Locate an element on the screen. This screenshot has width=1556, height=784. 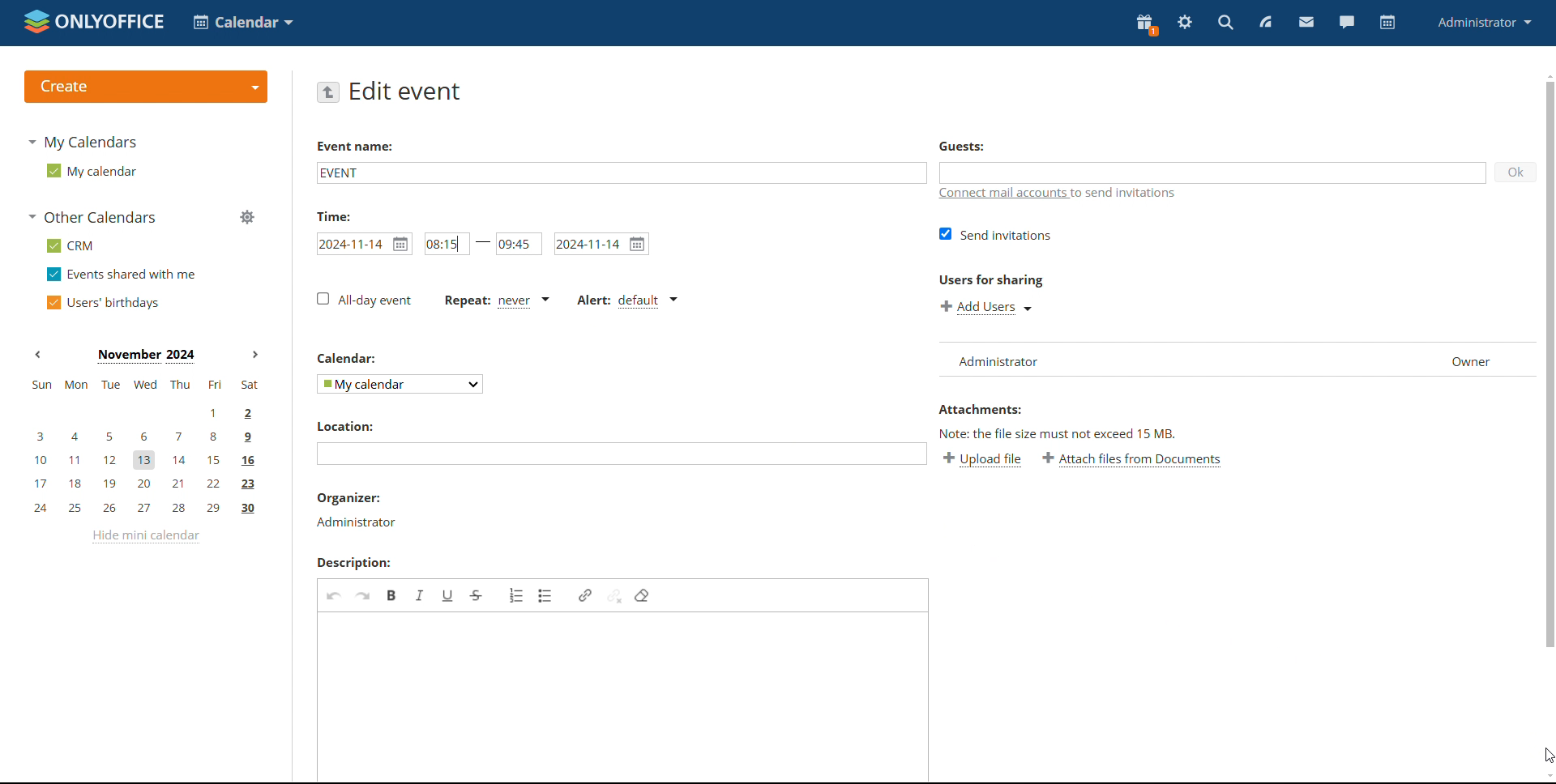
add users for sharing is located at coordinates (986, 308).